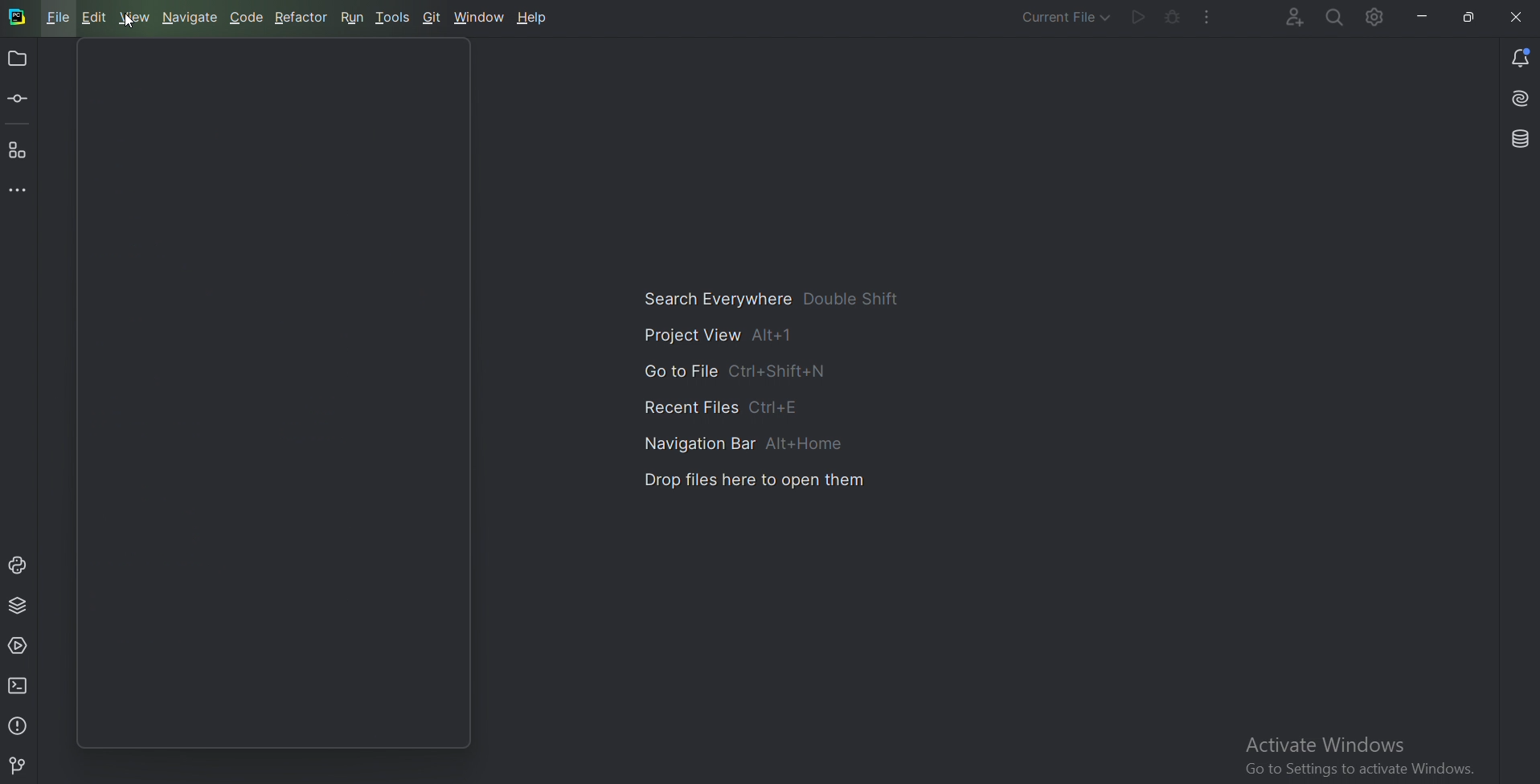 The height and width of the screenshot is (784, 1540). I want to click on Window, so click(481, 16).